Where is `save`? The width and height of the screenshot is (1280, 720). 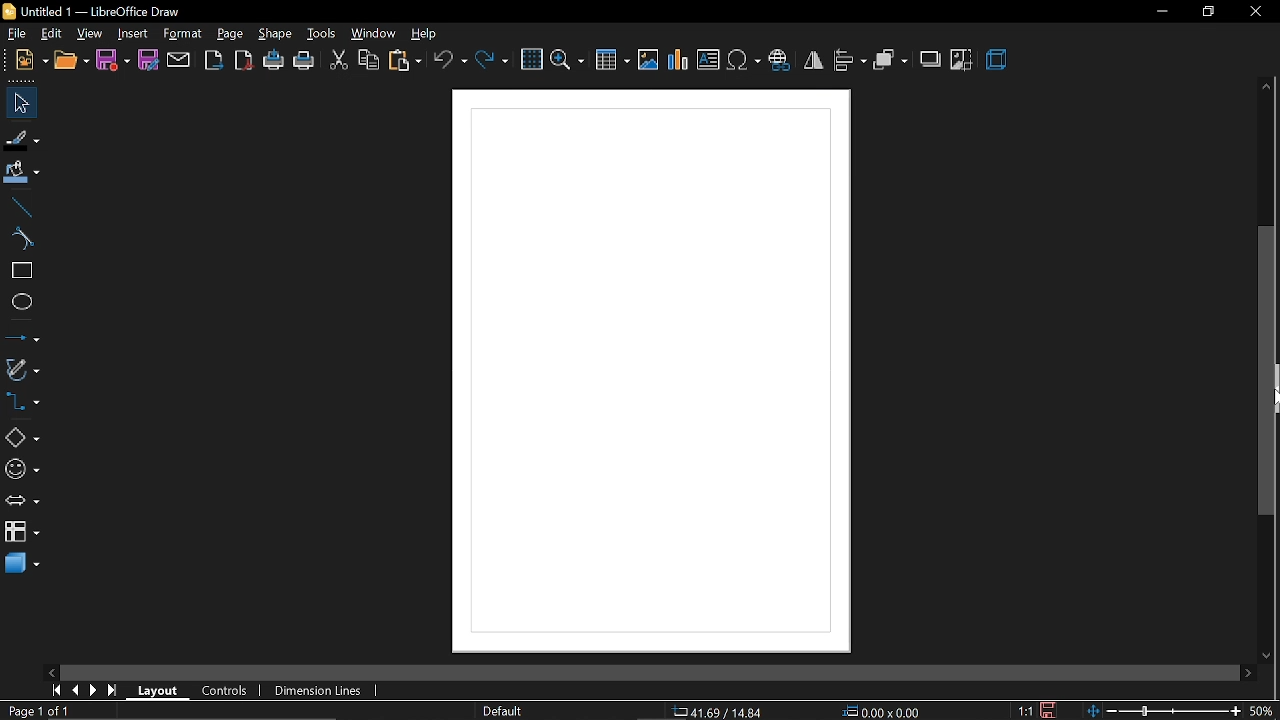 save is located at coordinates (1050, 710).